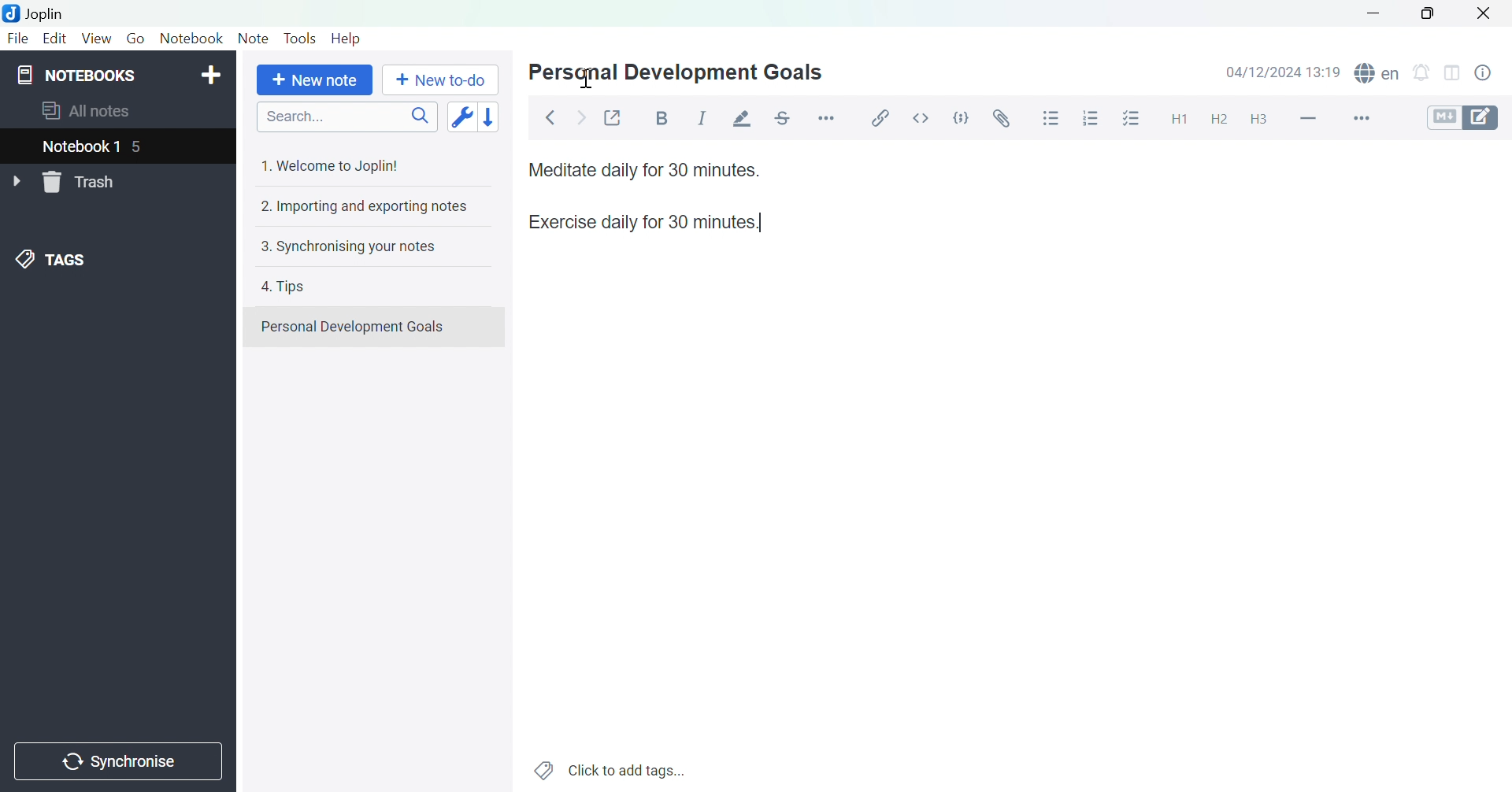  I want to click on Attach file, so click(999, 119).